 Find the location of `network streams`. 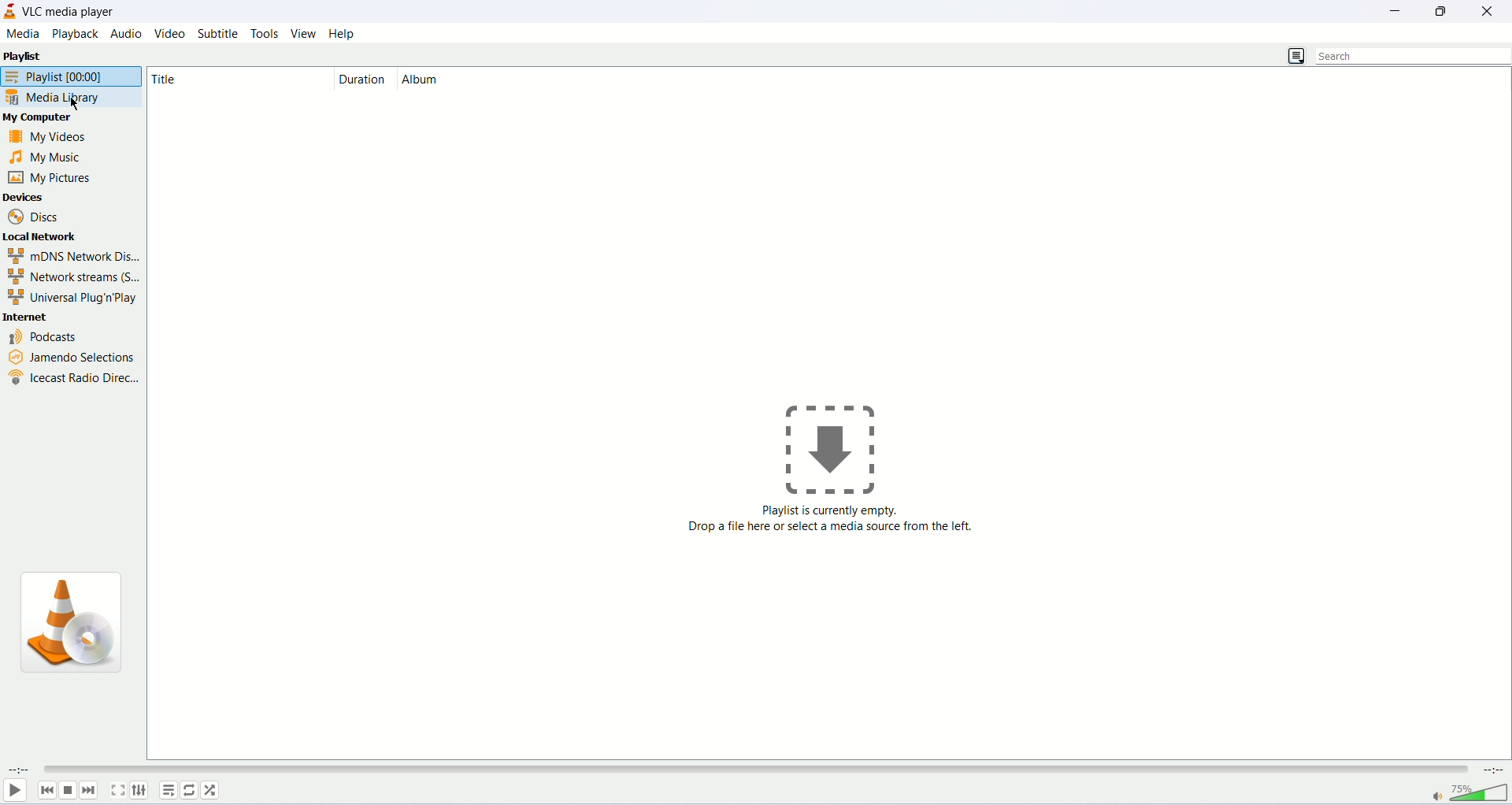

network streams is located at coordinates (72, 277).